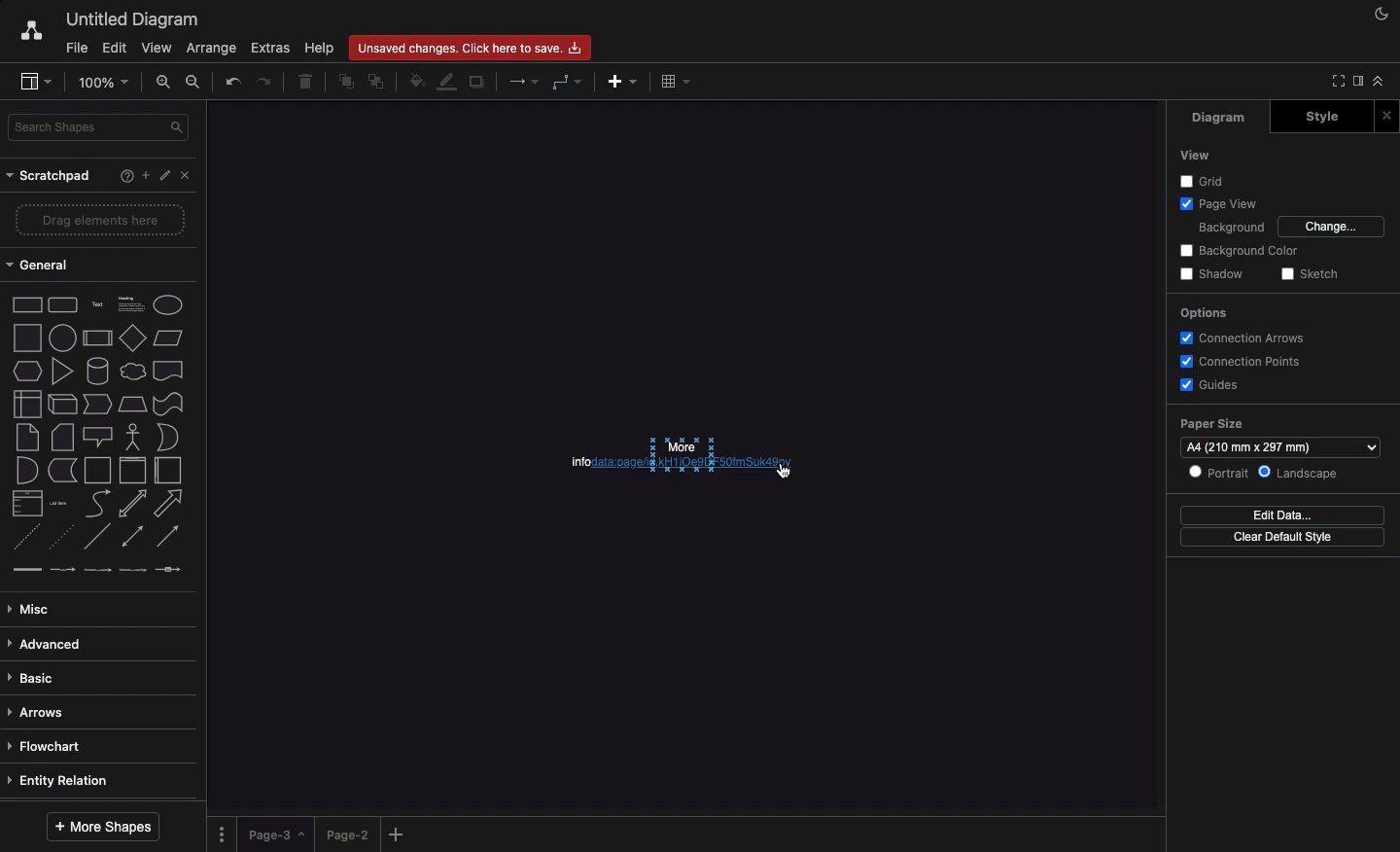 The height and width of the screenshot is (852, 1400). Describe the element at coordinates (63, 471) in the screenshot. I see `data storage` at that location.